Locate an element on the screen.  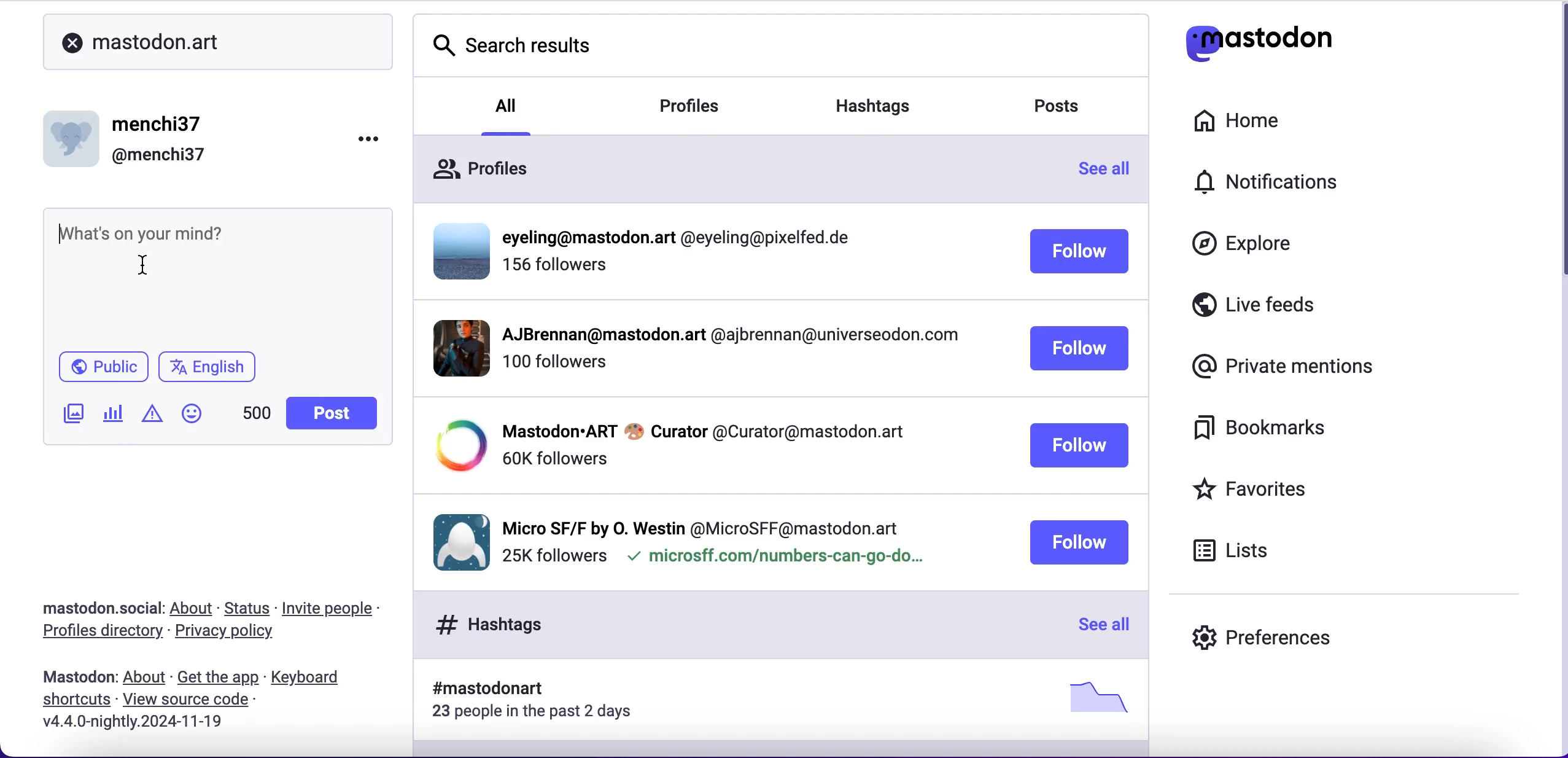
23 people in the past 2 days is located at coordinates (540, 714).